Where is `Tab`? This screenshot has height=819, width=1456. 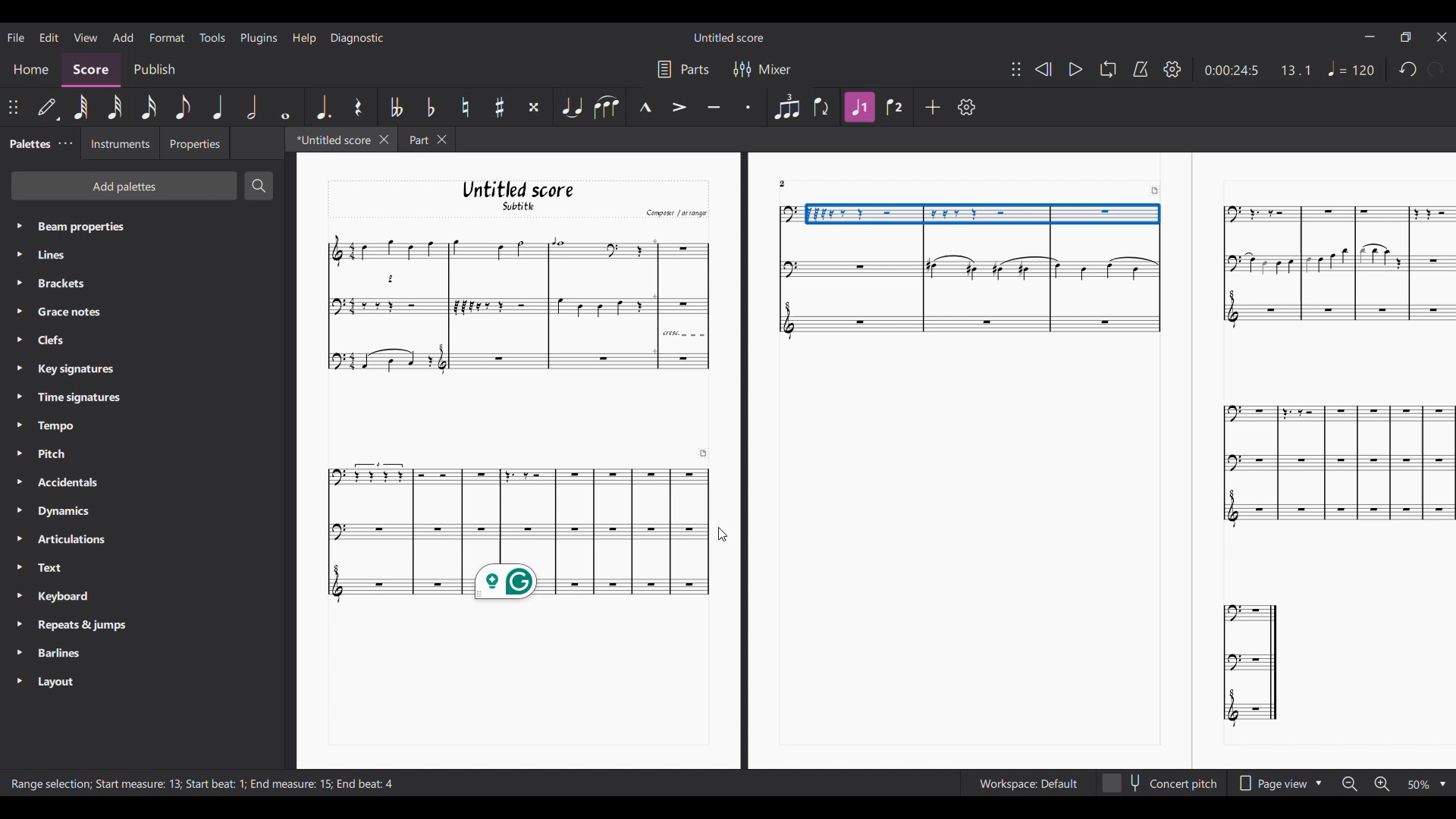
Tab is located at coordinates (65, 143).